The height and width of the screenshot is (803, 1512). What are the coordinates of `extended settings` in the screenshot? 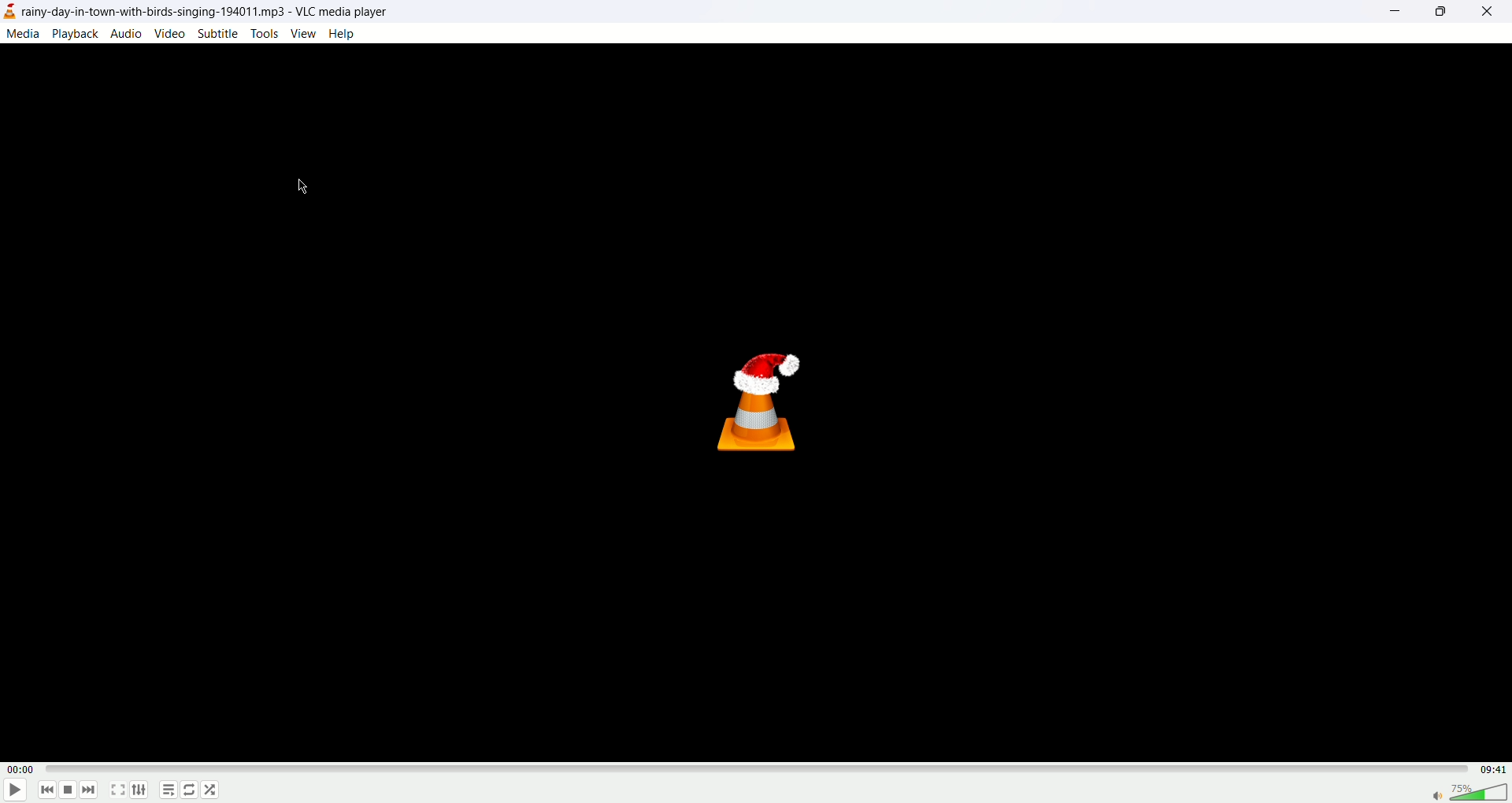 It's located at (145, 791).